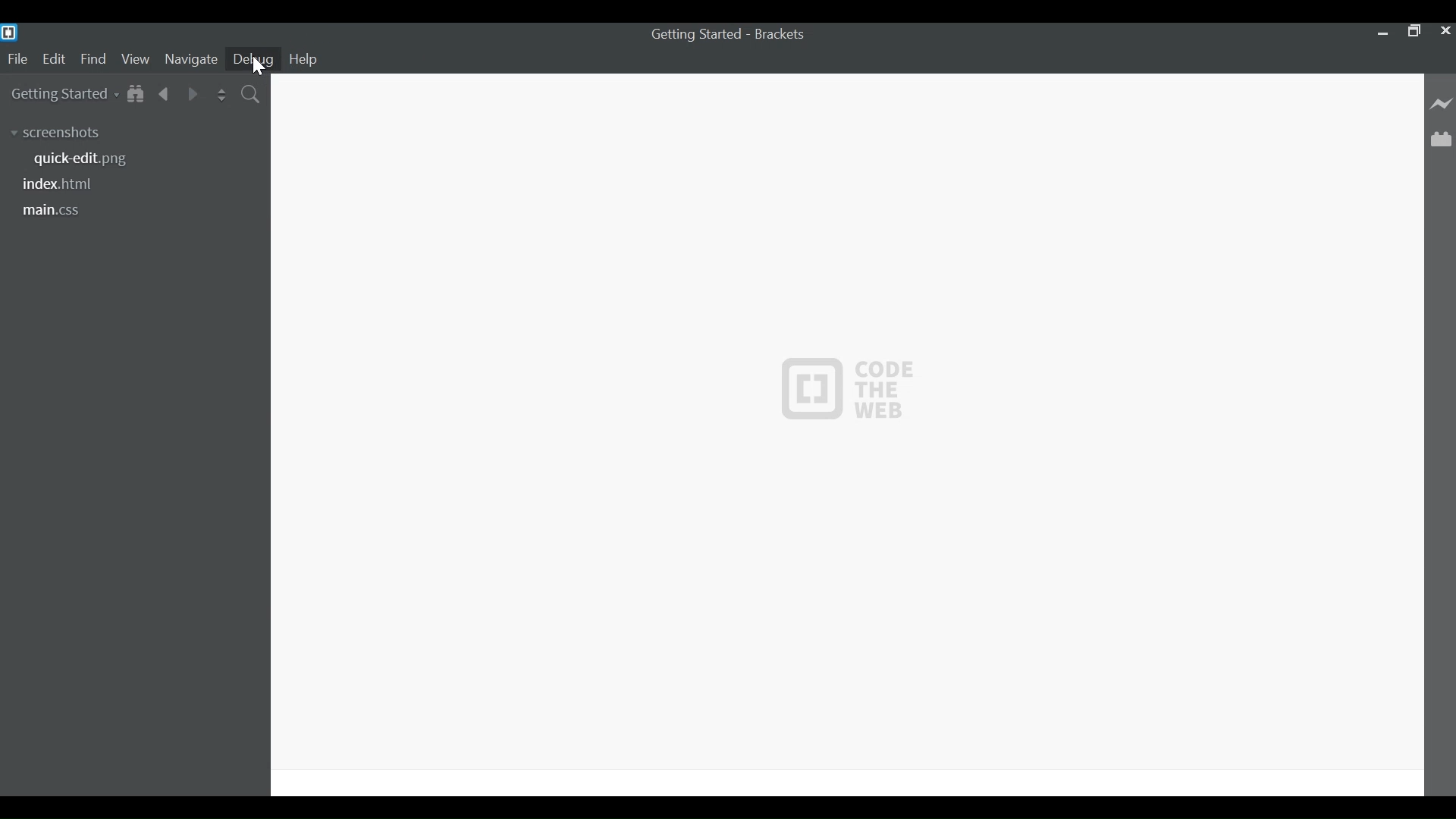 Image resolution: width=1456 pixels, height=819 pixels. I want to click on Edit, so click(54, 58).